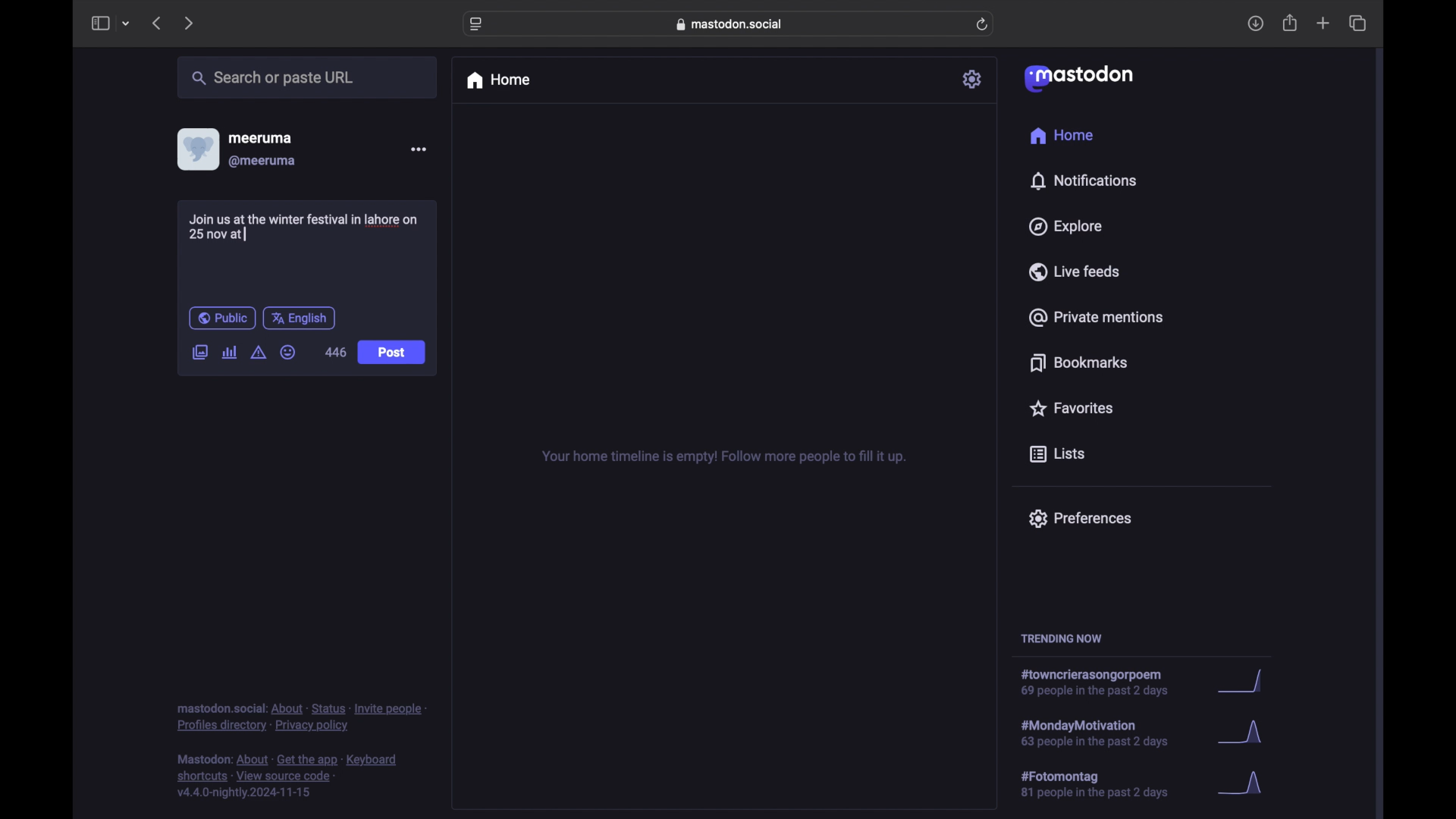  I want to click on @meeruma, so click(262, 162).